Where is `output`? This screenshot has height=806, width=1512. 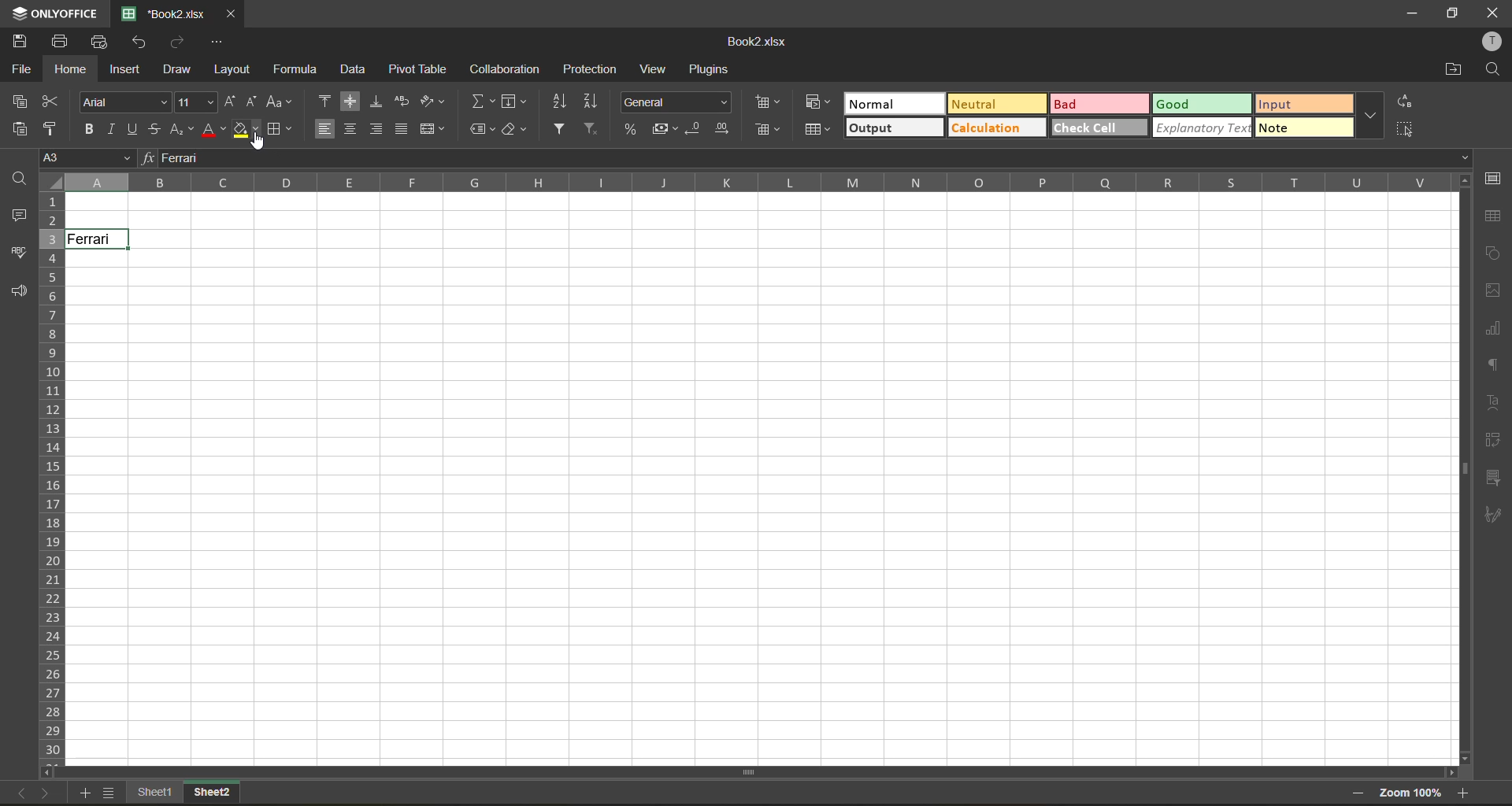
output is located at coordinates (893, 129).